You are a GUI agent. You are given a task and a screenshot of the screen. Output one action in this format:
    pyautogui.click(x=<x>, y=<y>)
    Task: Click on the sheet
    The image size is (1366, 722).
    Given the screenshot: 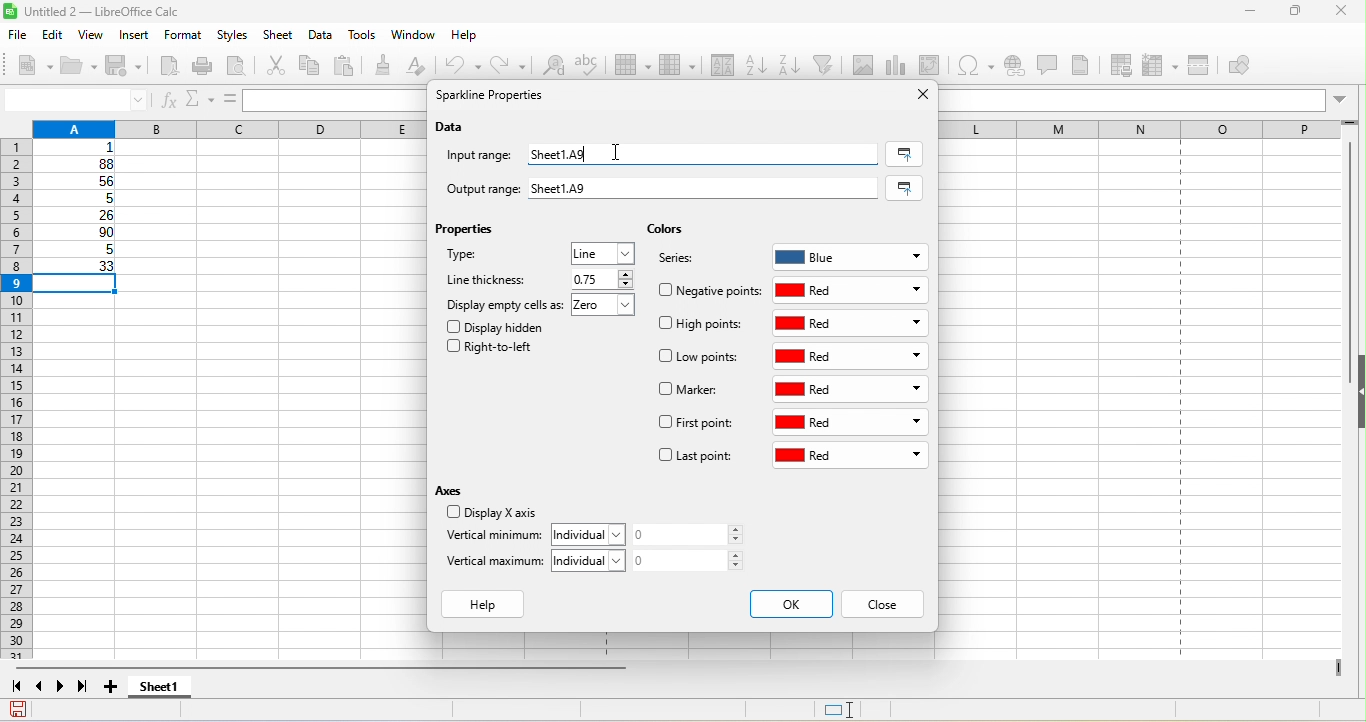 What is the action you would take?
    pyautogui.click(x=280, y=36)
    